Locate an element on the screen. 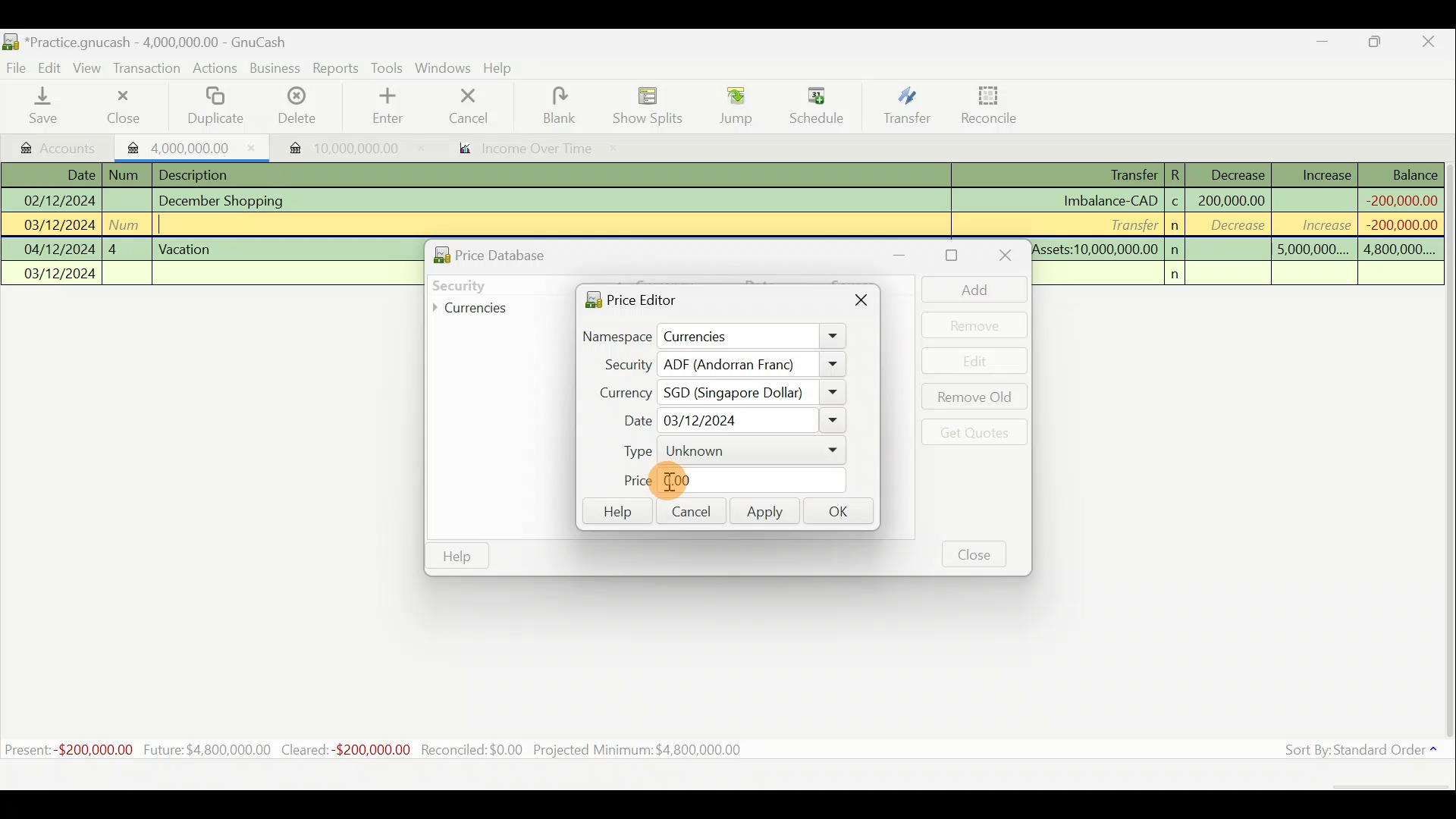 The height and width of the screenshot is (819, 1456). 200,000,000 is located at coordinates (1230, 200).